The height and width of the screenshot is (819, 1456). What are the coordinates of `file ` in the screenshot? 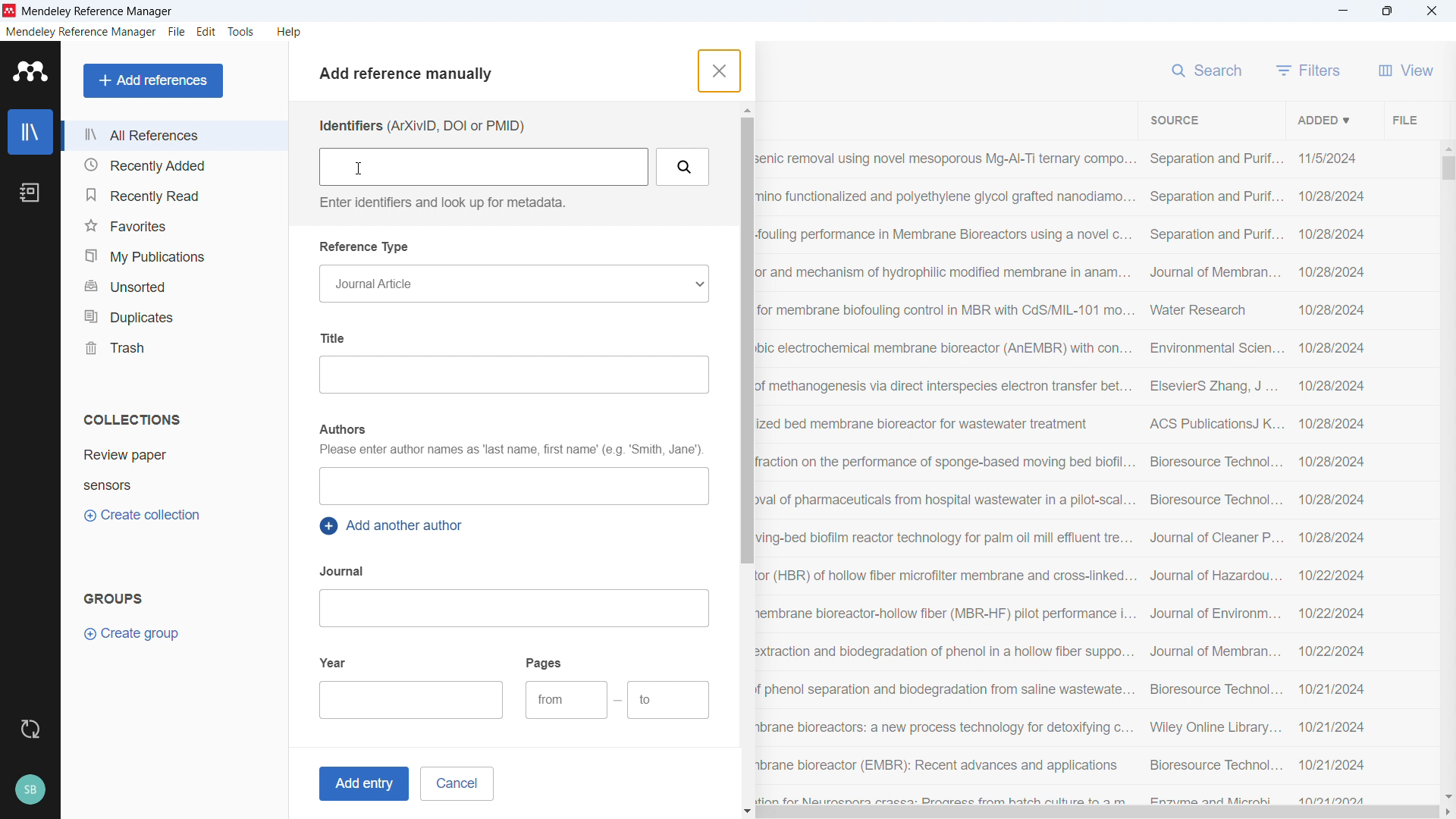 It's located at (176, 33).